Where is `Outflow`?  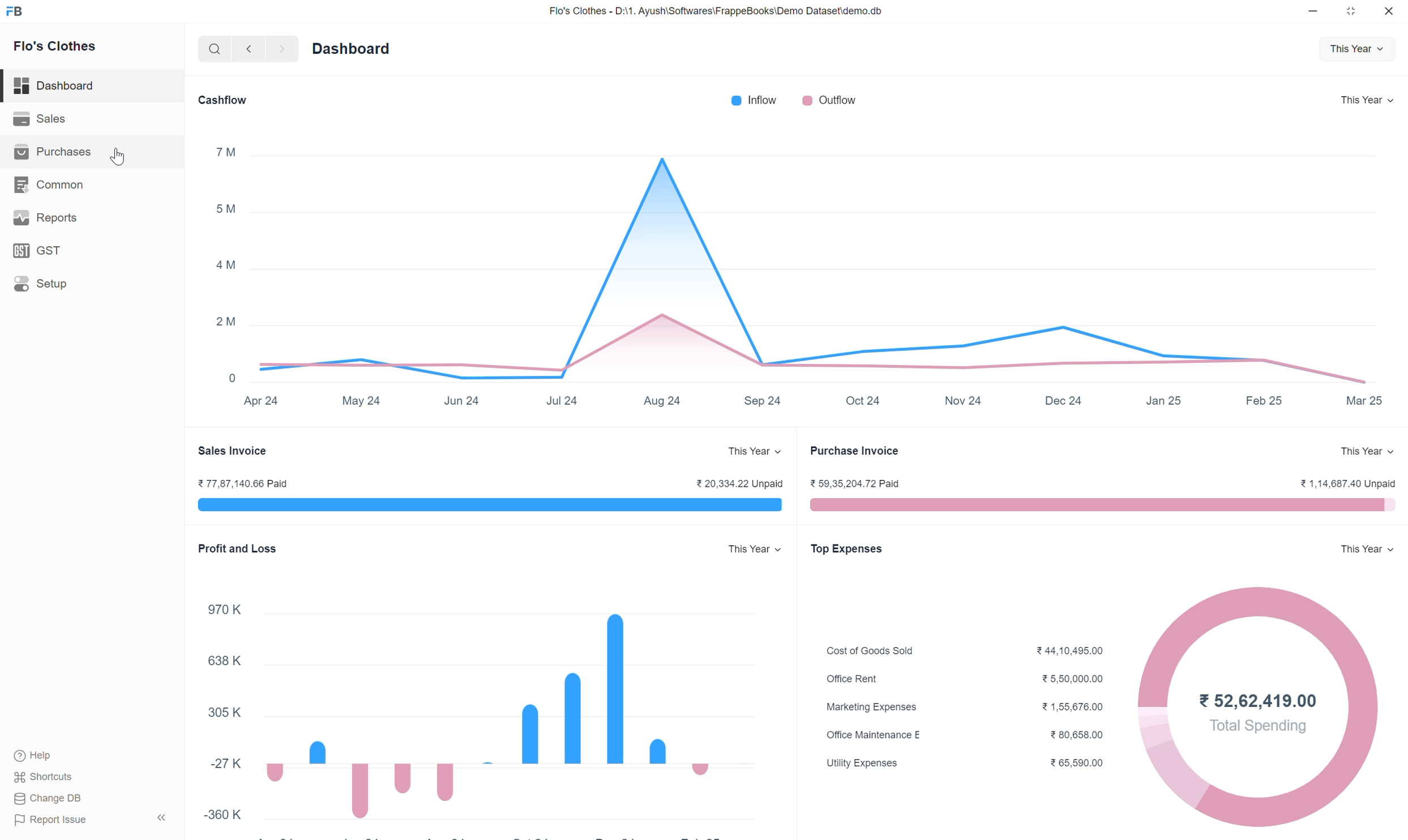 Outflow is located at coordinates (830, 100).